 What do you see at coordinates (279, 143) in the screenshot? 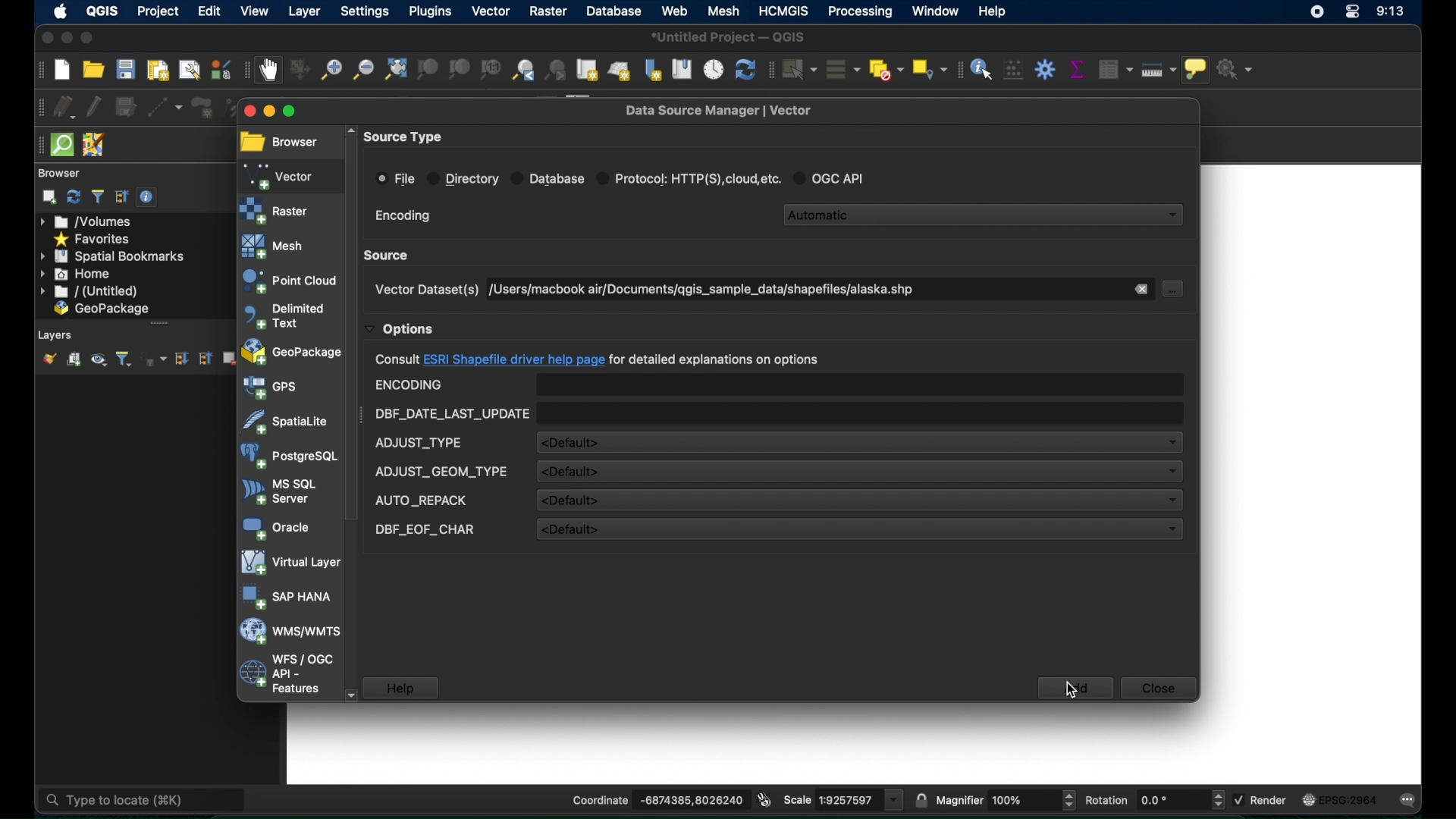
I see `browser` at bounding box center [279, 143].